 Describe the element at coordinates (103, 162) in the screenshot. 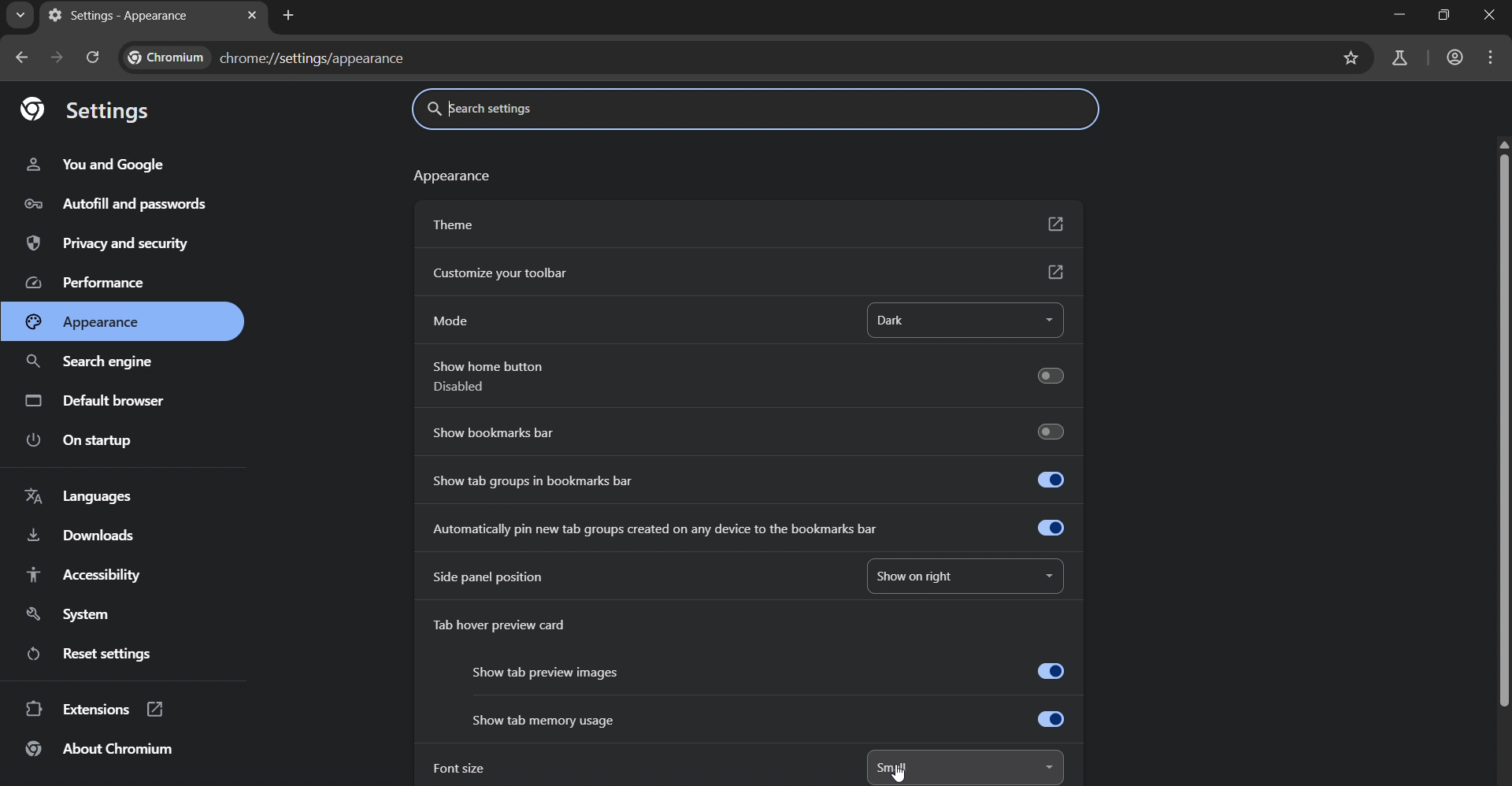

I see `you & google` at that location.